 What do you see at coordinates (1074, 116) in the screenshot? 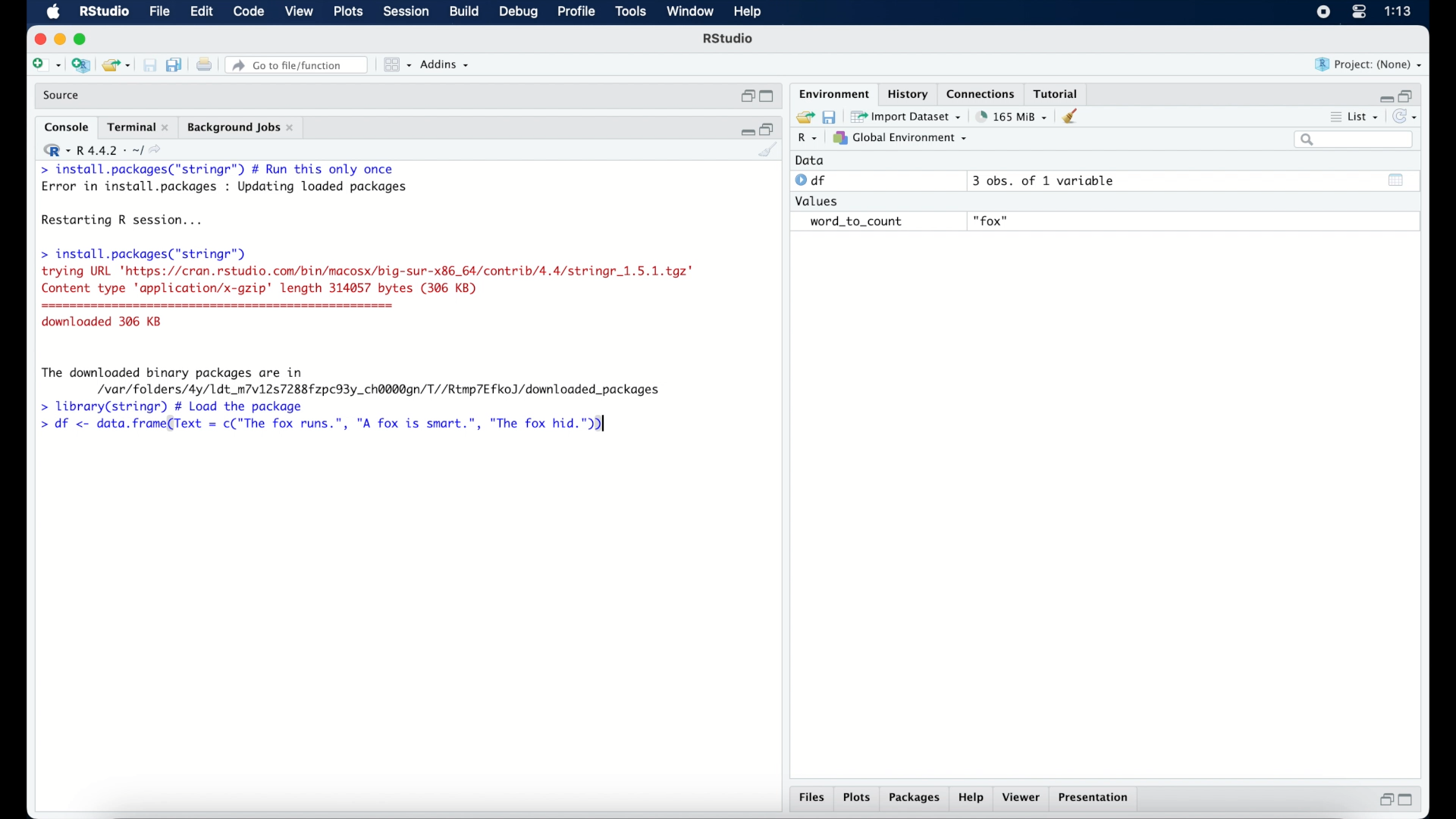
I see `clear console` at bounding box center [1074, 116].